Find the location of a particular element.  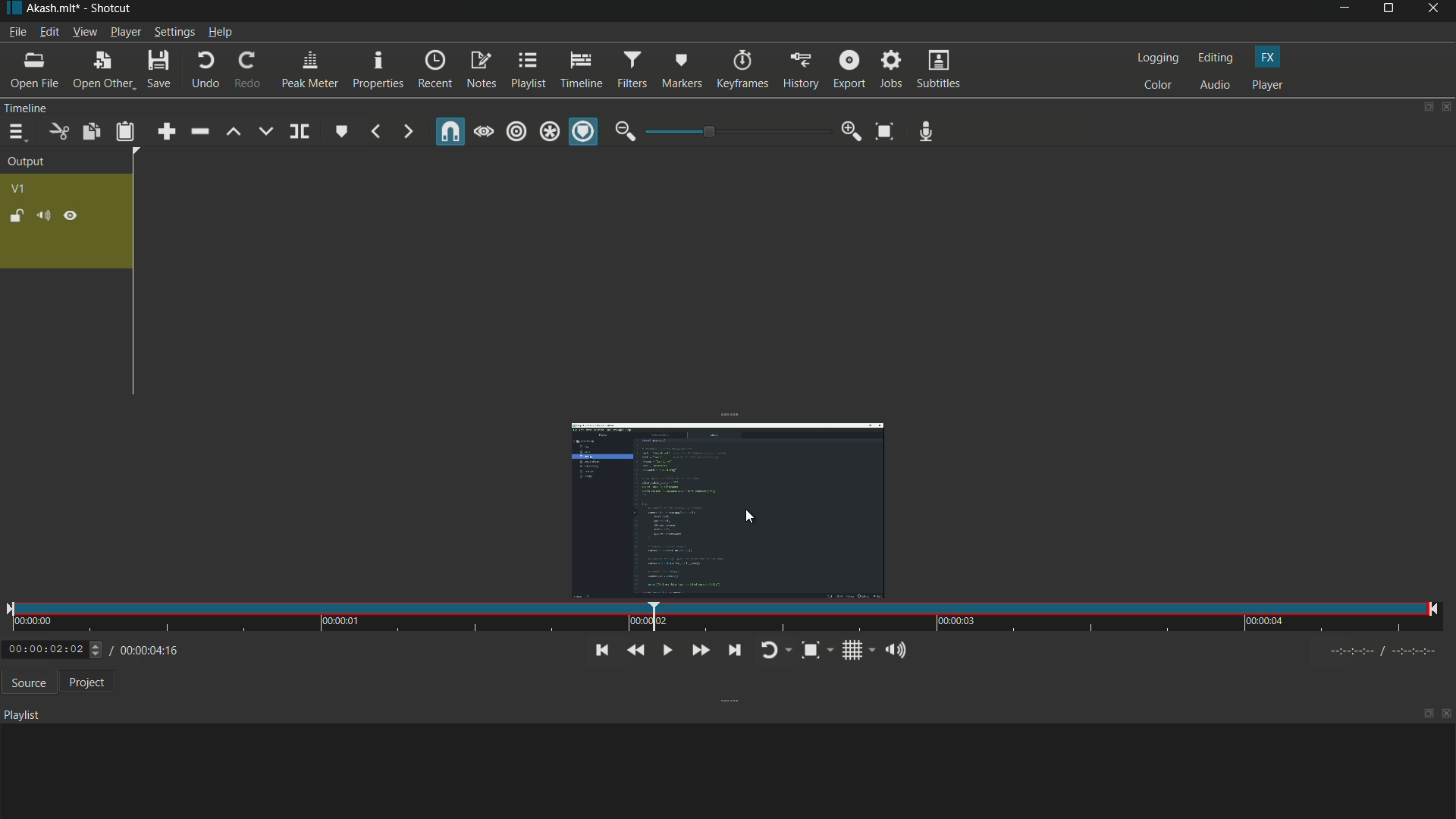

toggle play or pause is located at coordinates (665, 650).